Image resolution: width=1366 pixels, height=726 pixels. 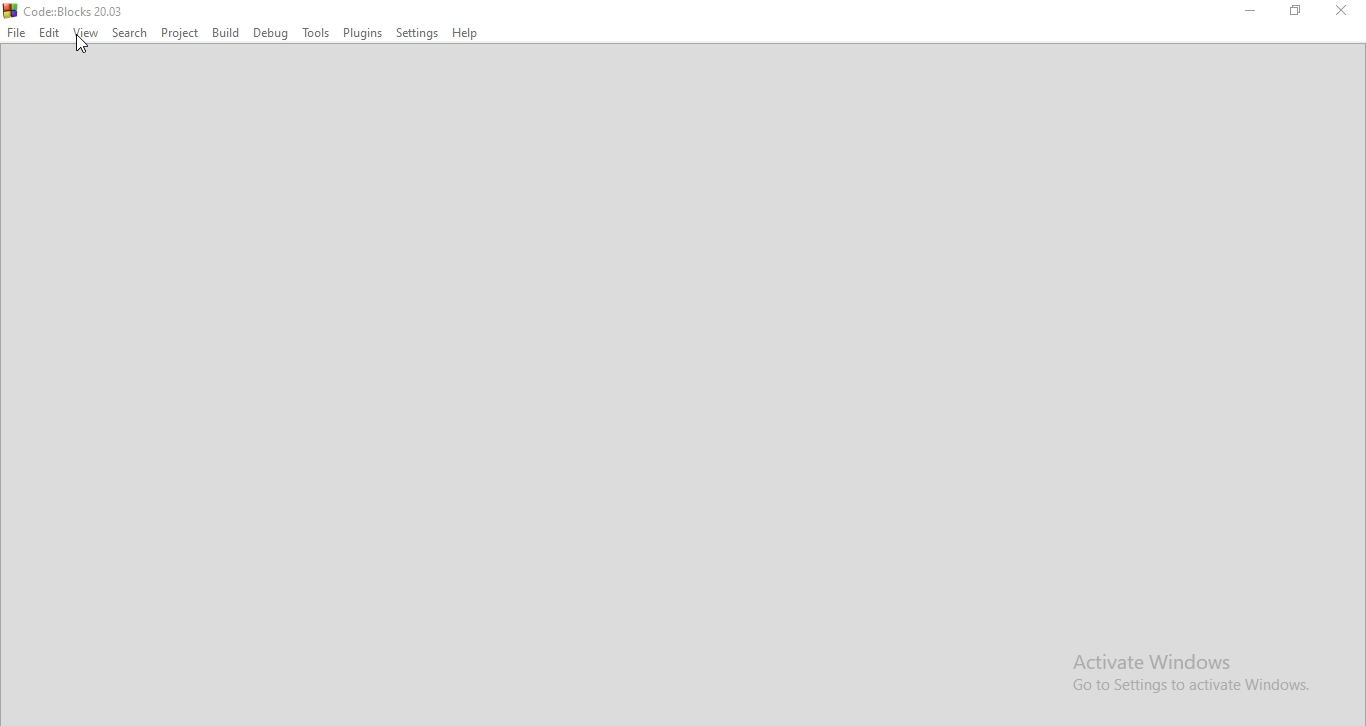 I want to click on Edit , so click(x=49, y=33).